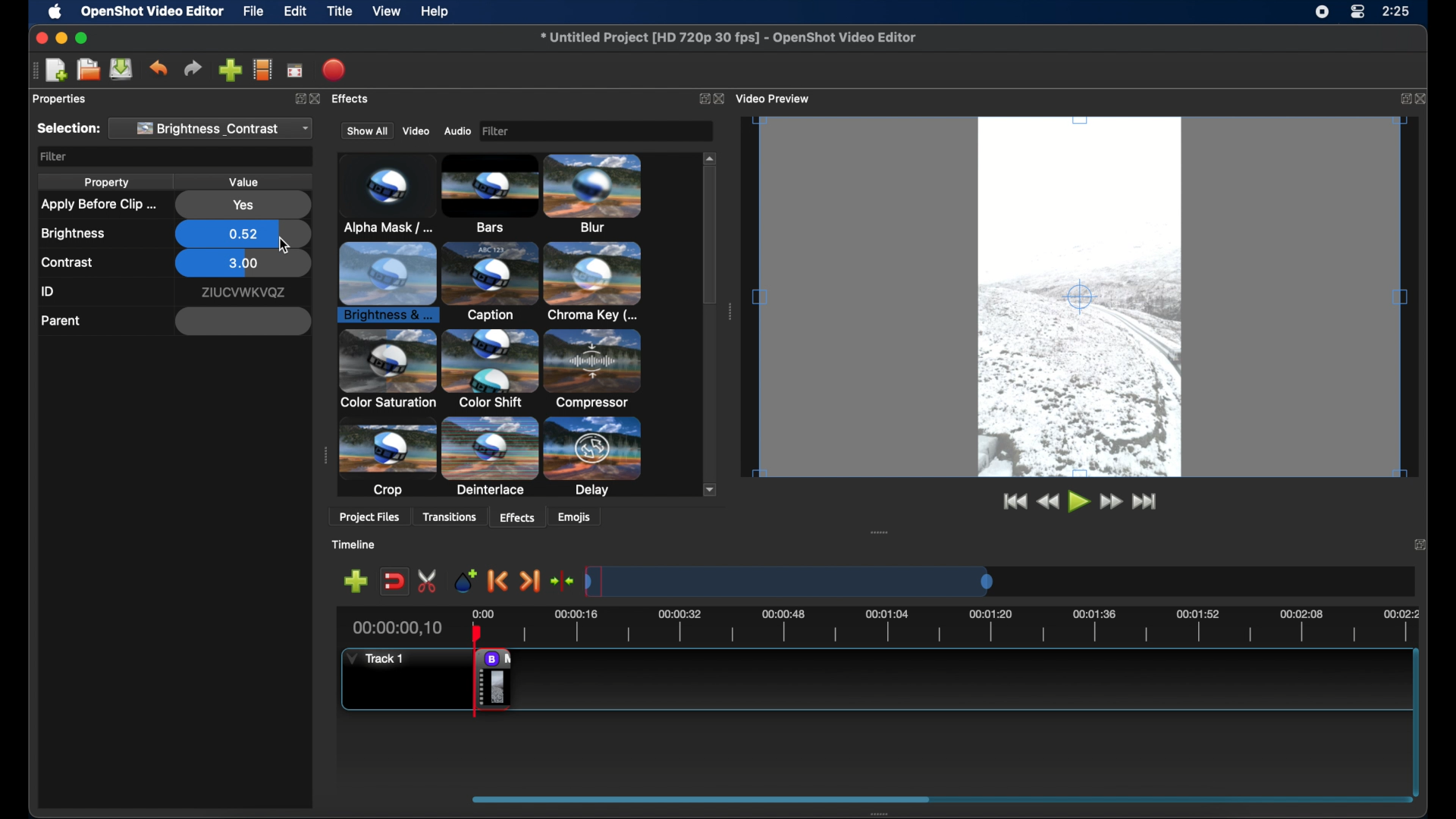  What do you see at coordinates (808, 798) in the screenshot?
I see `scroll box` at bounding box center [808, 798].